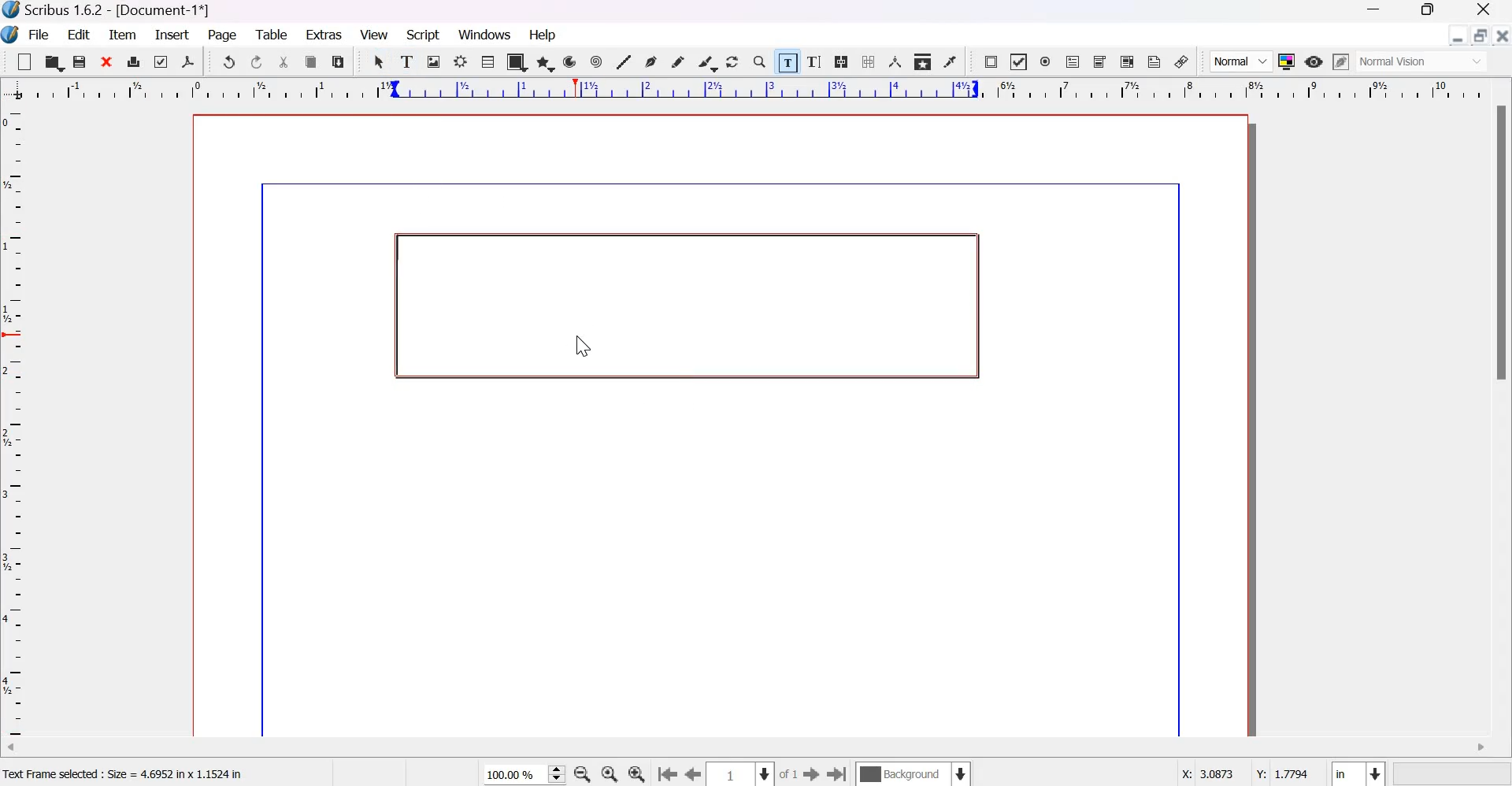 The image size is (1512, 786). What do you see at coordinates (487, 61) in the screenshot?
I see `Table` at bounding box center [487, 61].